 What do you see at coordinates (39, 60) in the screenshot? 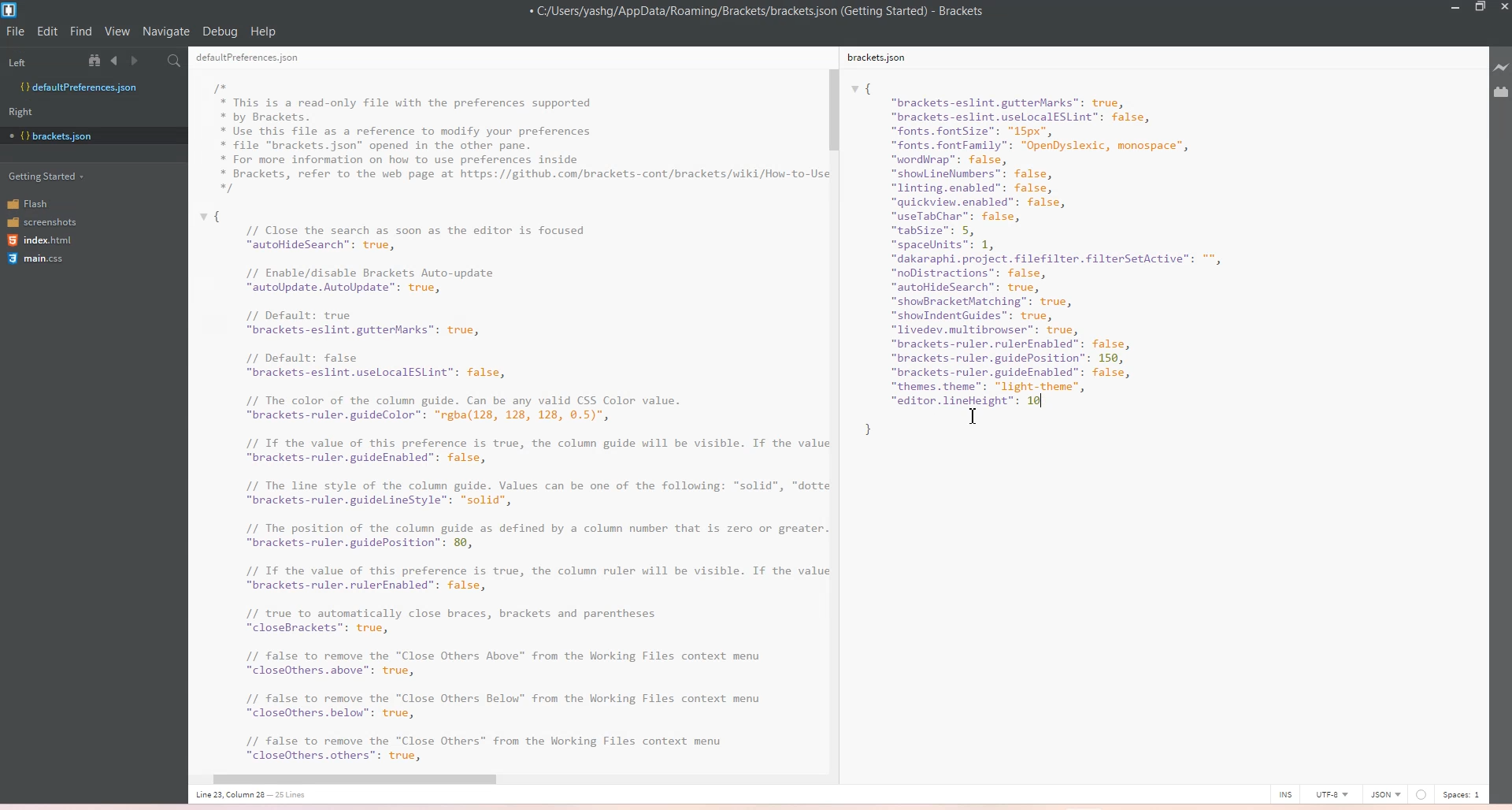
I see `Left` at bounding box center [39, 60].